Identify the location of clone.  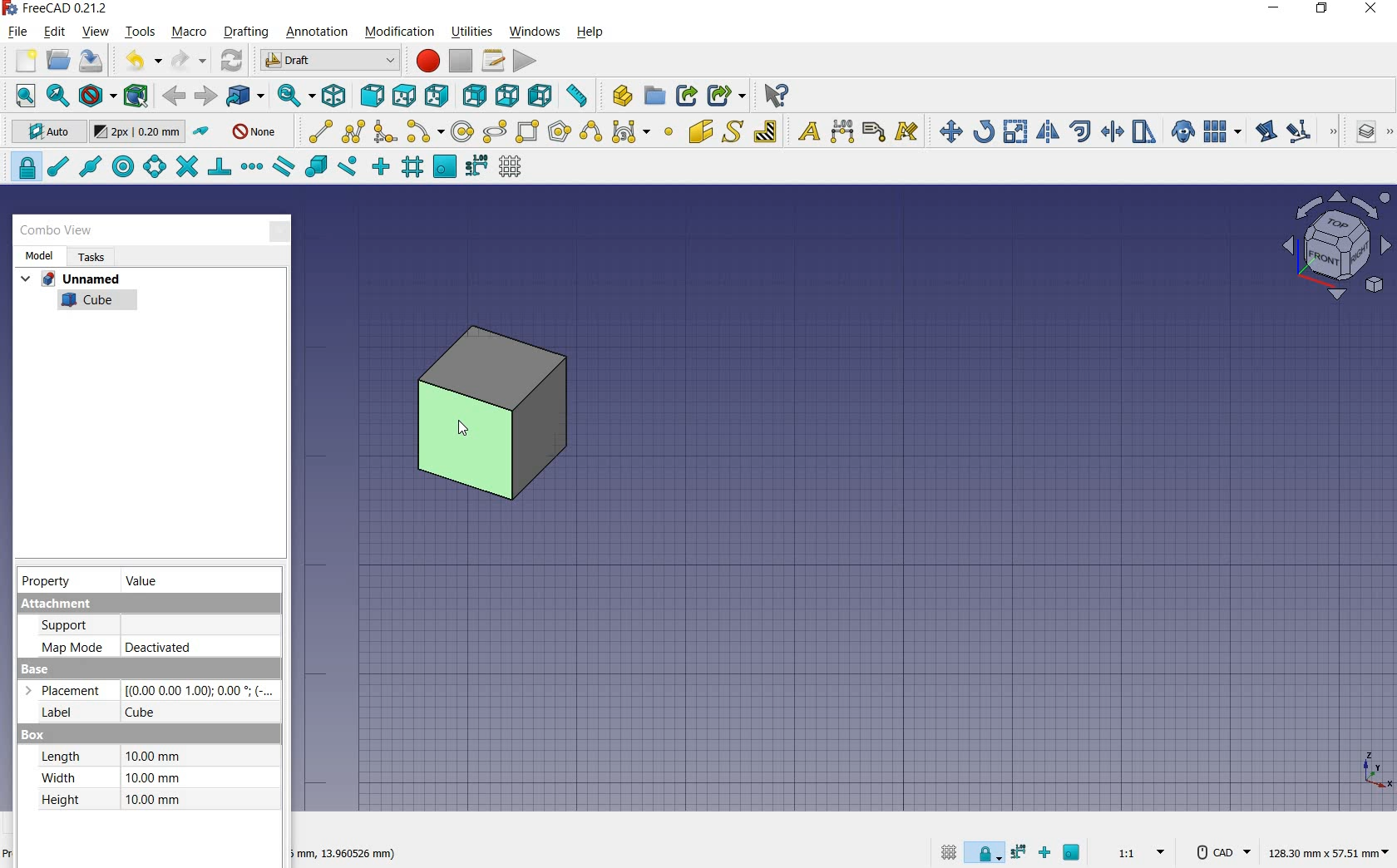
(1183, 132).